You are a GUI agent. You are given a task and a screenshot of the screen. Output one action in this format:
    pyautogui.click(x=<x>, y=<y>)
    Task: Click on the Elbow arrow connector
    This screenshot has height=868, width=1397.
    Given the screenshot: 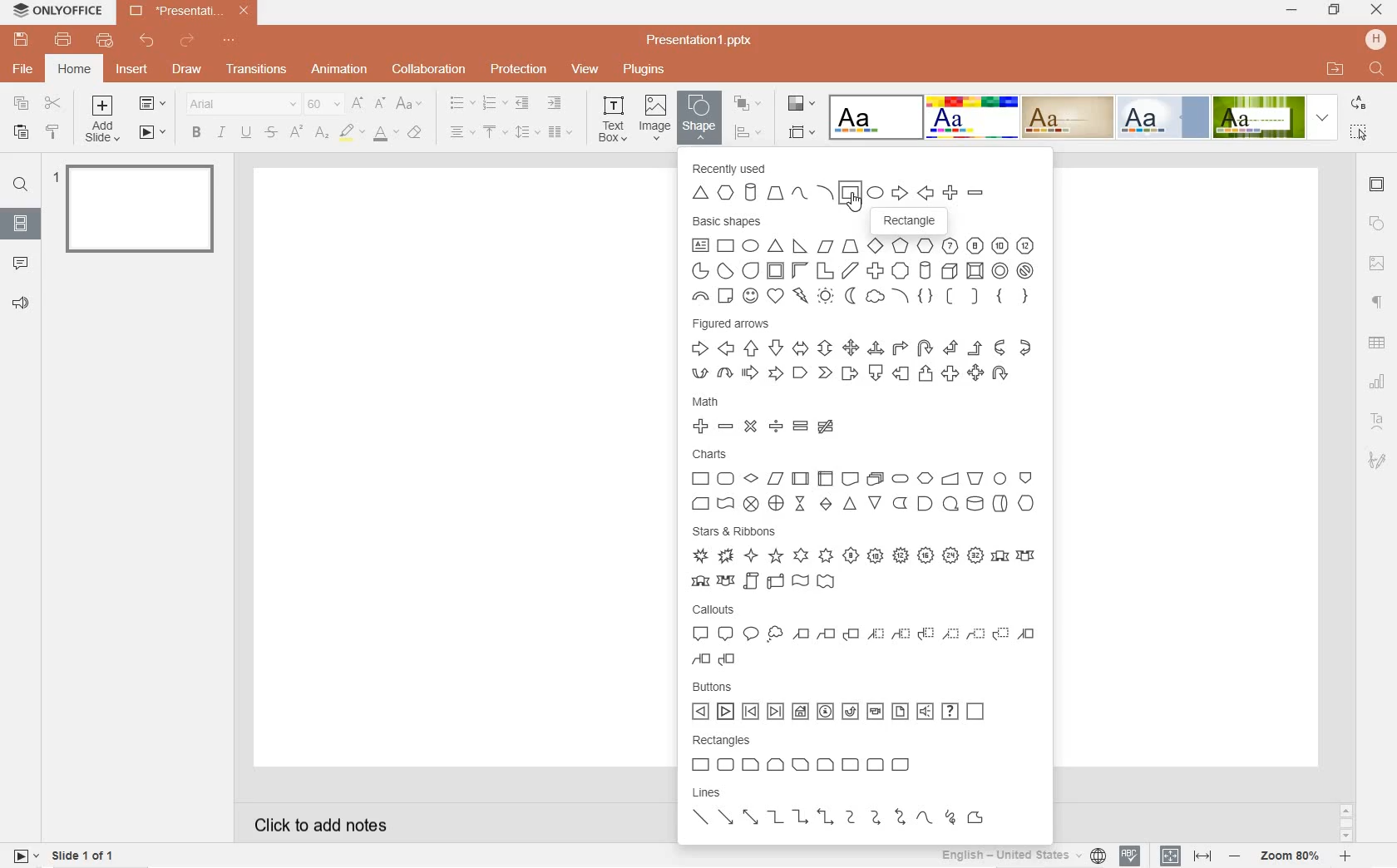 What is the action you would take?
    pyautogui.click(x=802, y=818)
    